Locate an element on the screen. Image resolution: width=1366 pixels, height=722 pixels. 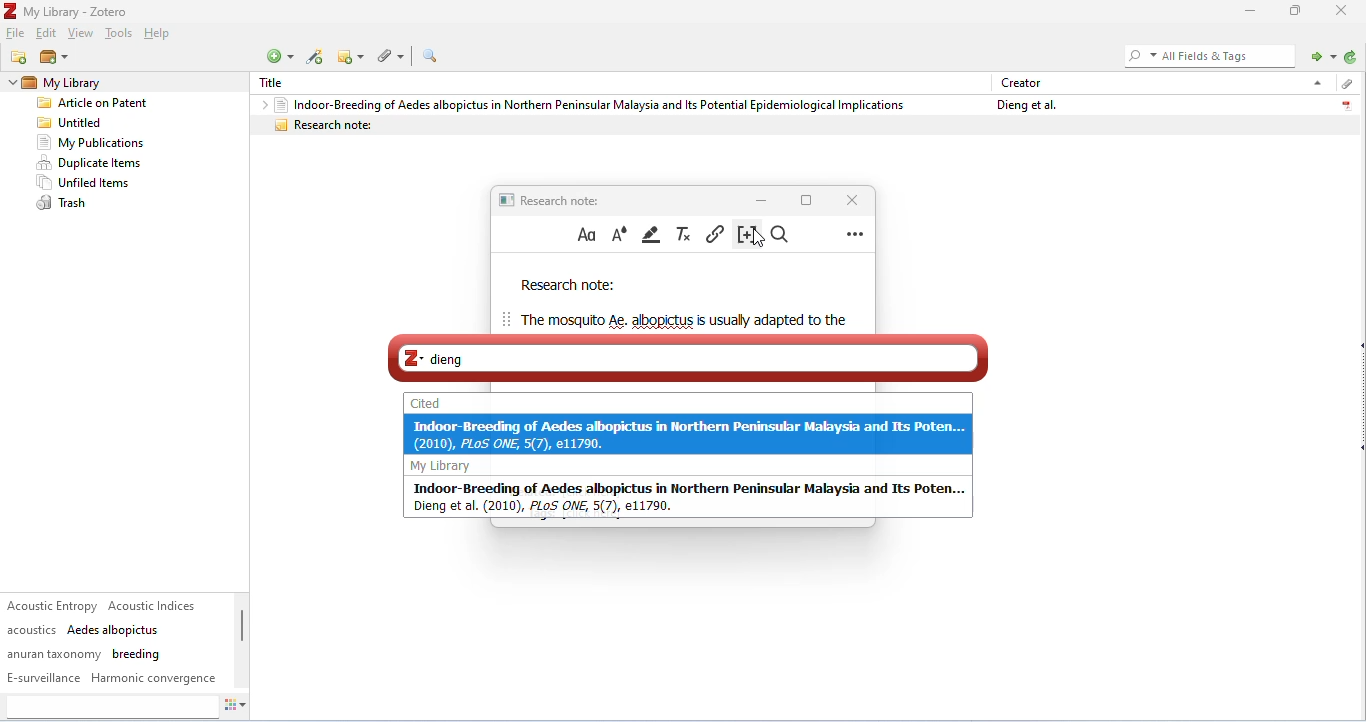
typing intext citation is located at coordinates (687, 357).